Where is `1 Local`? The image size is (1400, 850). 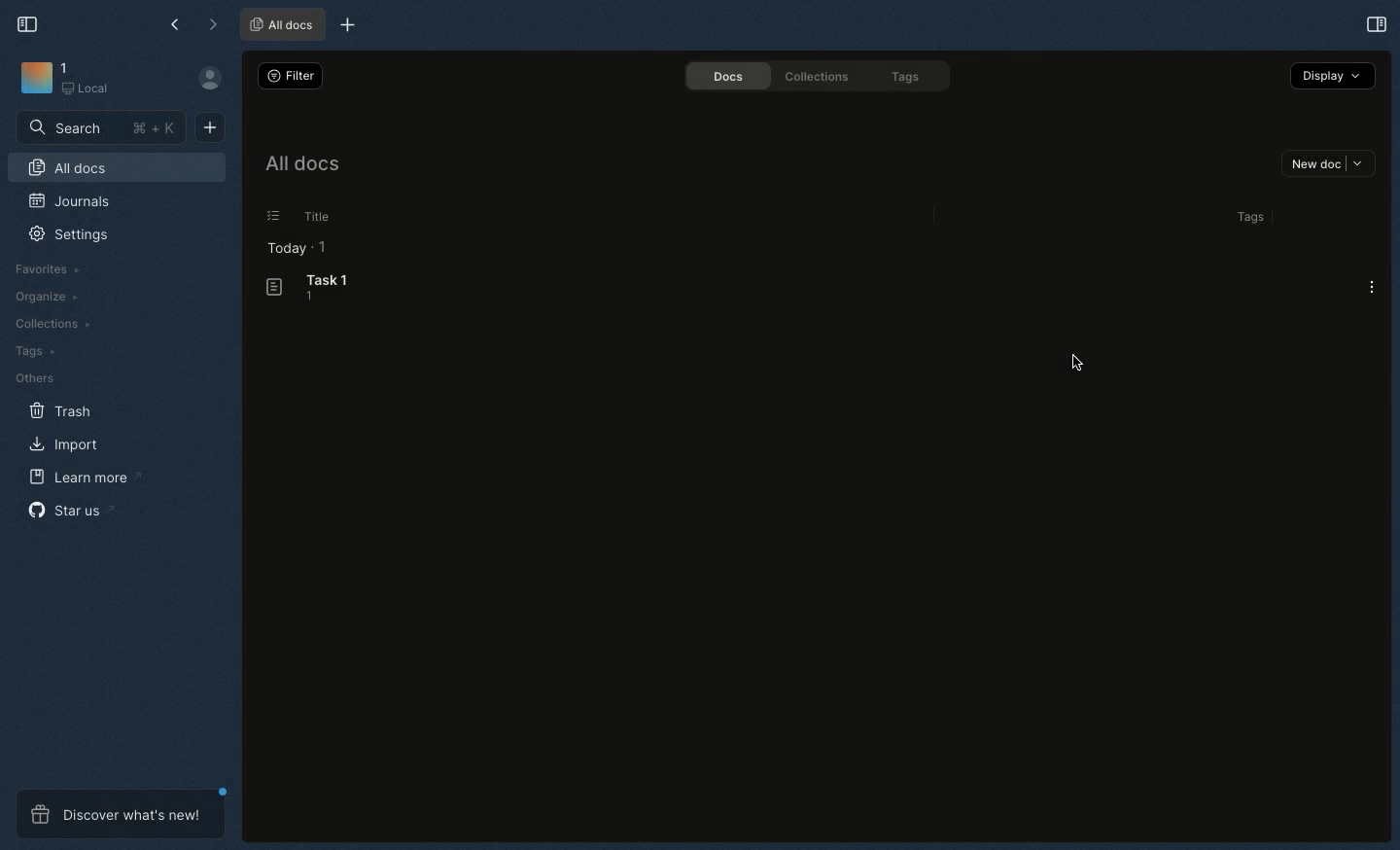 1 Local is located at coordinates (87, 78).